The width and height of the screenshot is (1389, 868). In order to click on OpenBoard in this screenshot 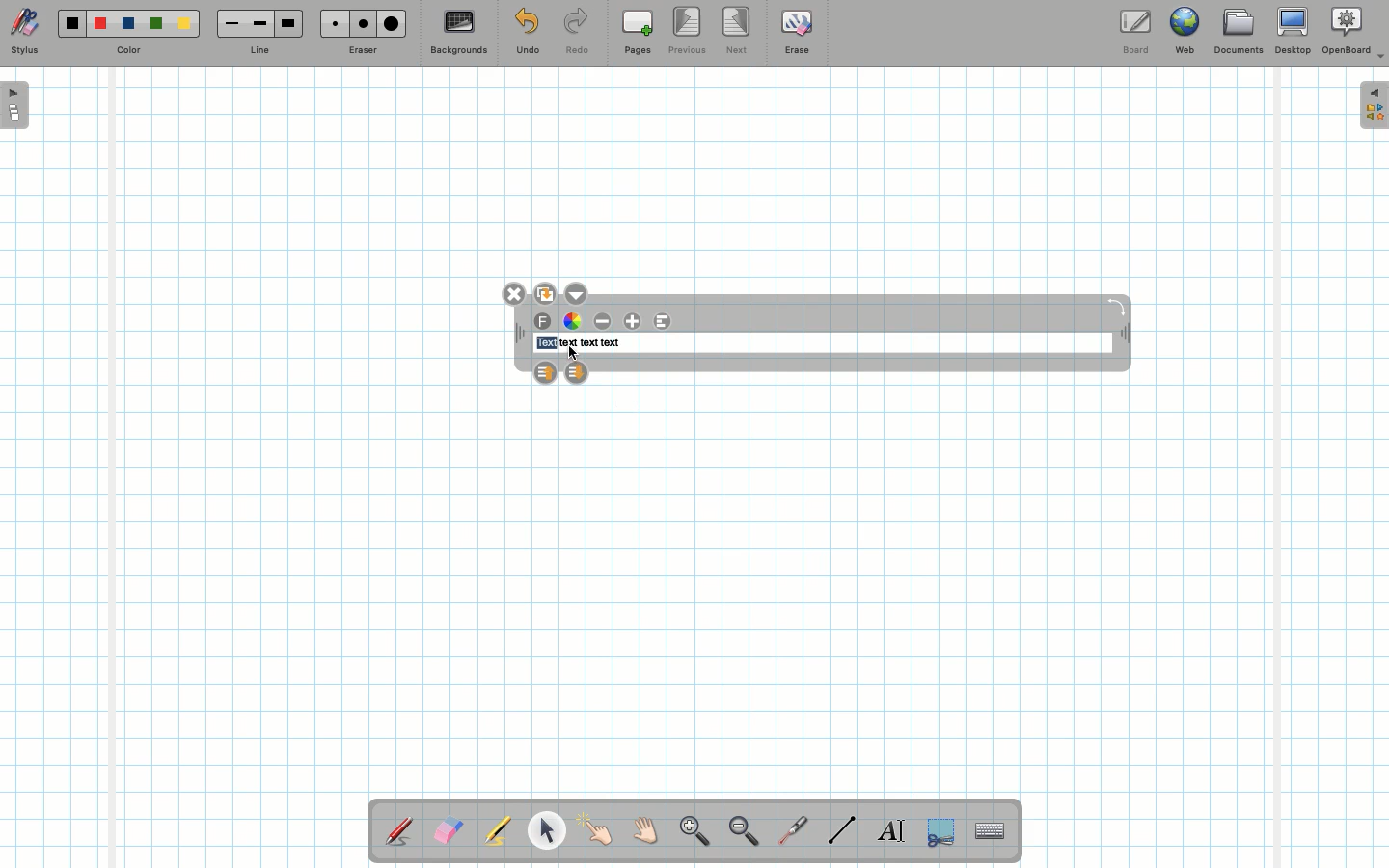, I will do `click(1353, 31)`.